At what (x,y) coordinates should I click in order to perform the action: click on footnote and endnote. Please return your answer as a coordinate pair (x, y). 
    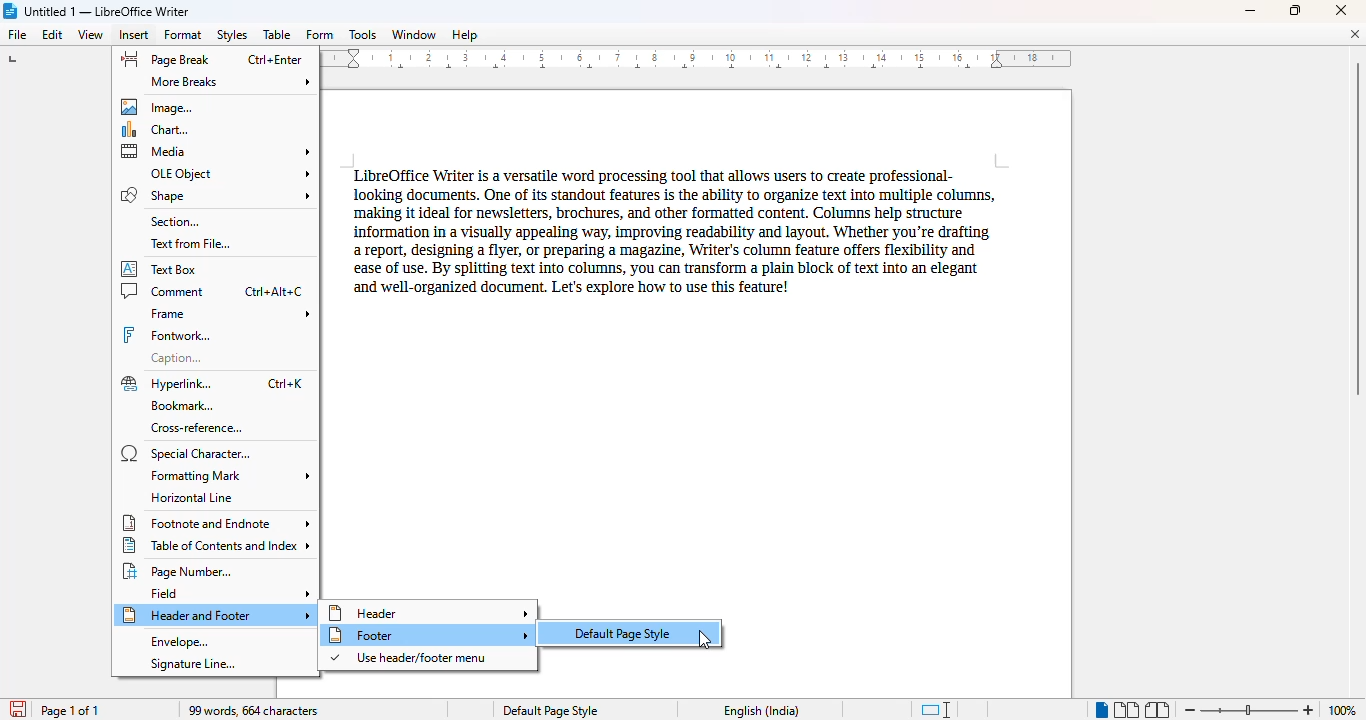
    Looking at the image, I should click on (216, 523).